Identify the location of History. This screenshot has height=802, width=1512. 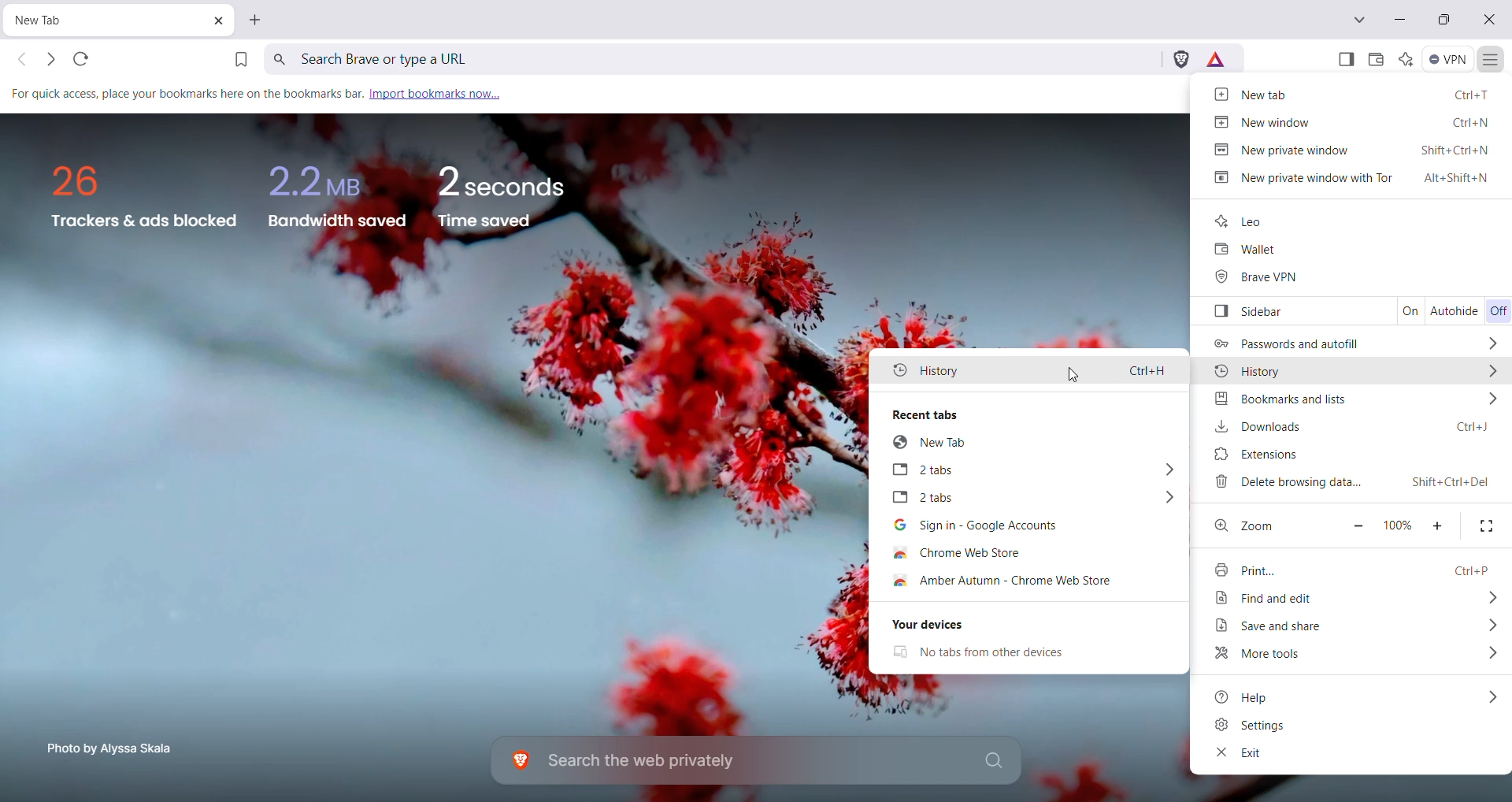
(1030, 368).